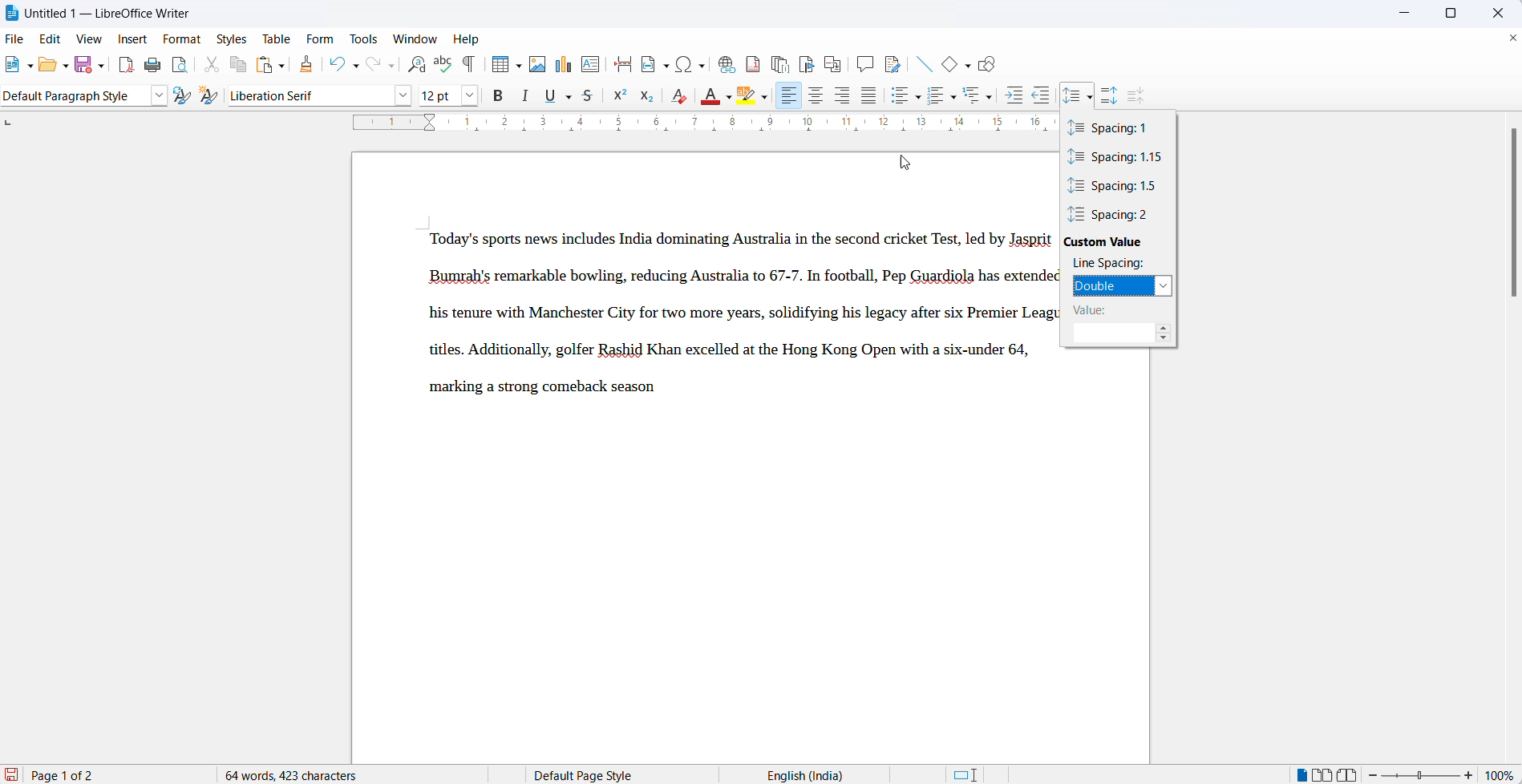 Image resolution: width=1522 pixels, height=784 pixels. Describe the element at coordinates (1091, 90) in the screenshot. I see `cursor` at that location.